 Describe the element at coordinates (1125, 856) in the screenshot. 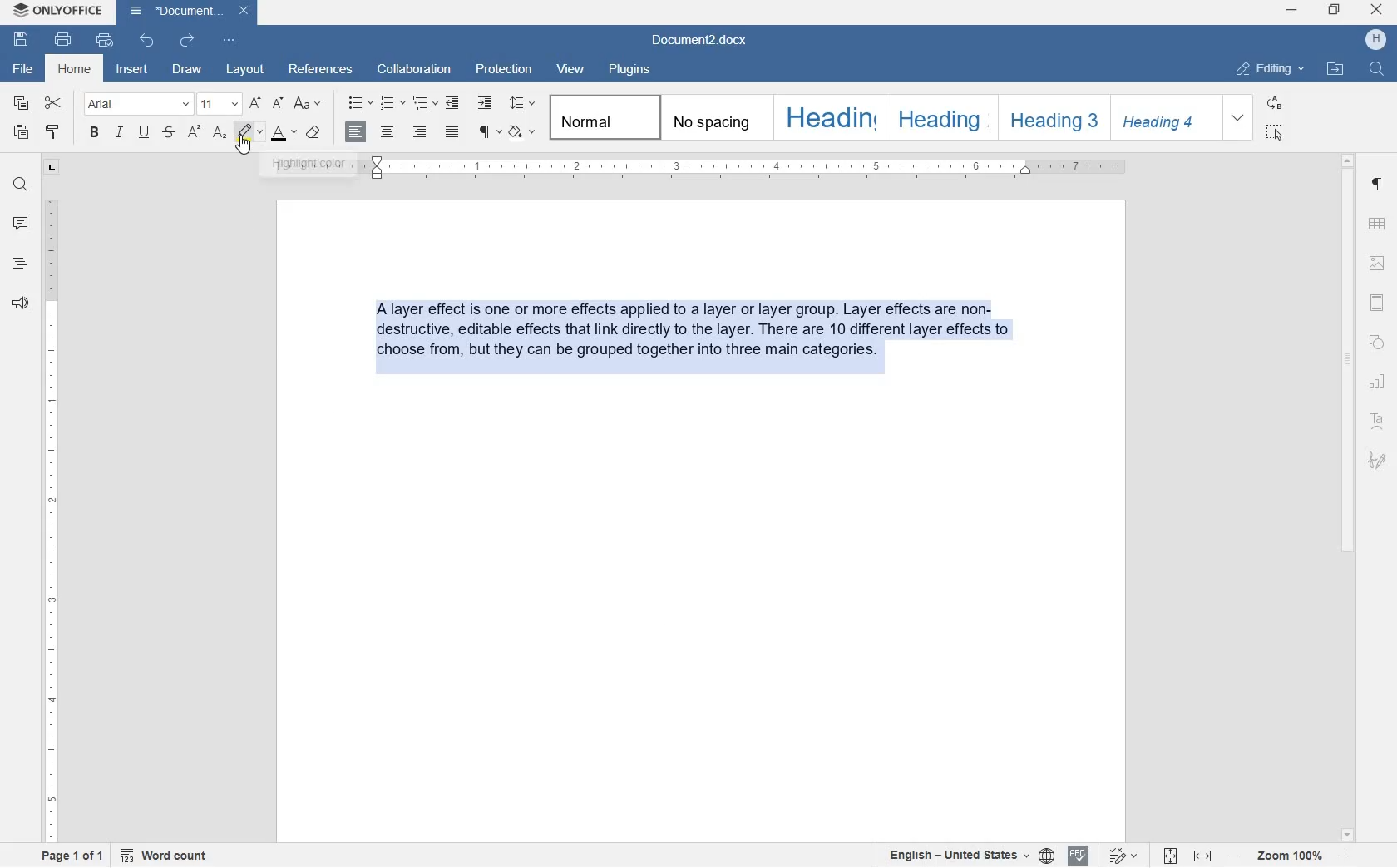

I see `TRACK CHANGES` at that location.